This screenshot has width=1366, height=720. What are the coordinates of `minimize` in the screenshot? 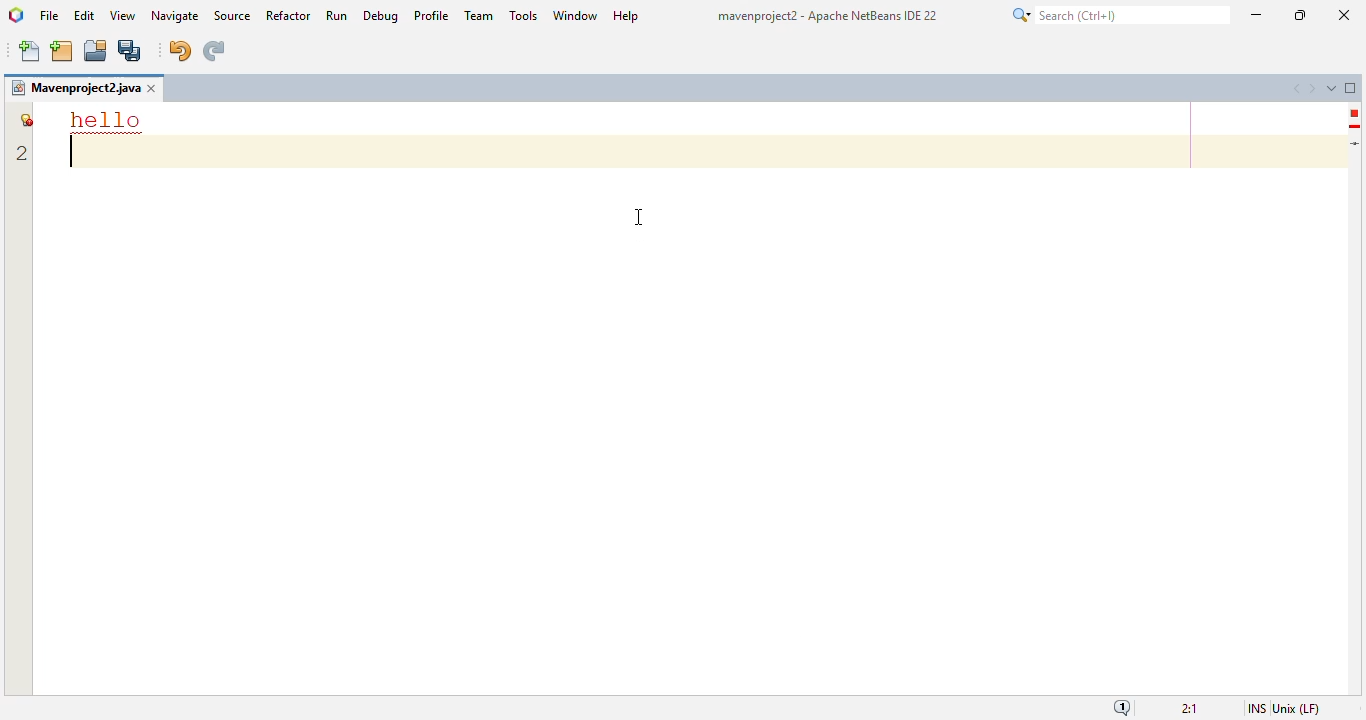 It's located at (1258, 15).